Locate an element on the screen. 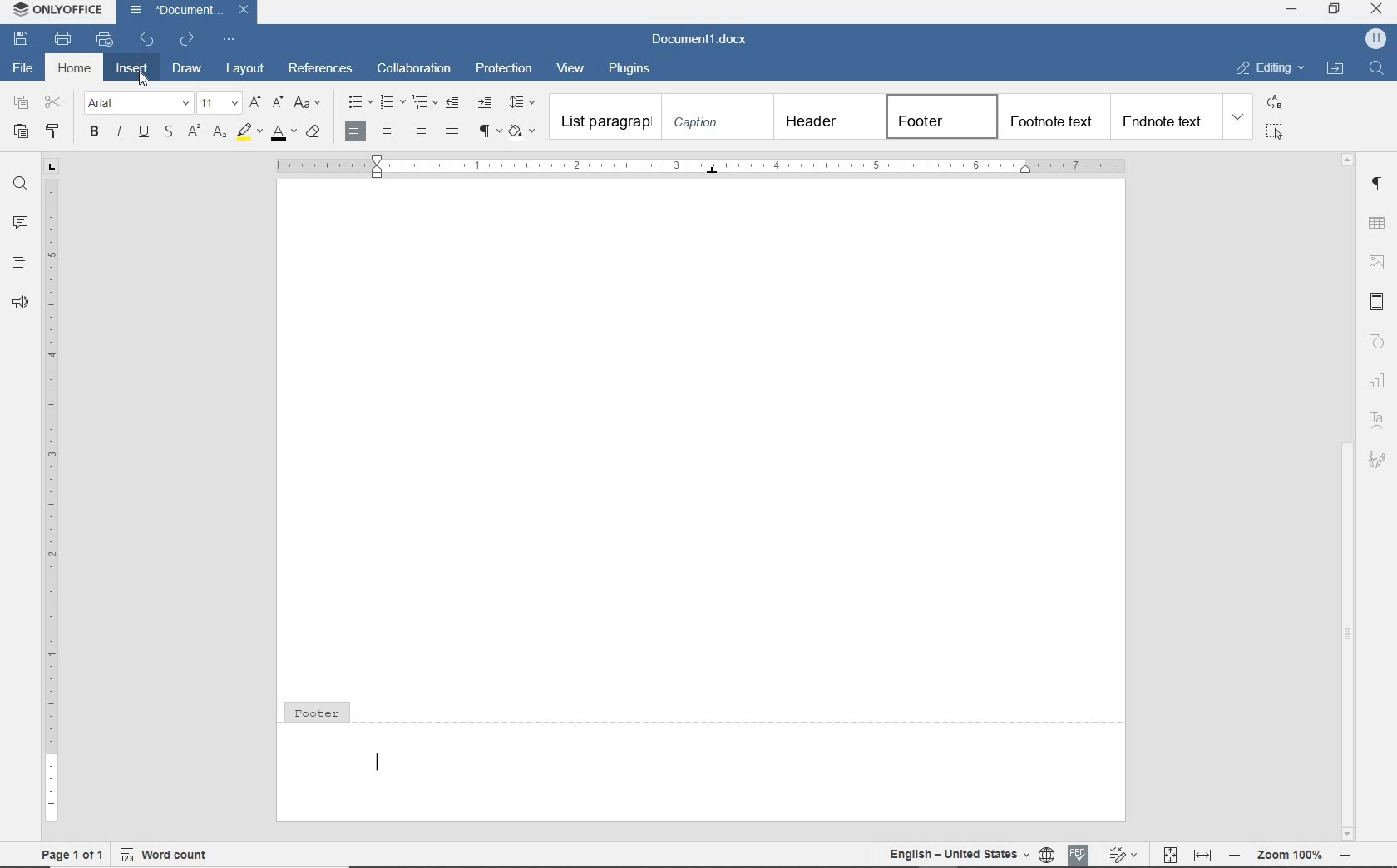 The height and width of the screenshot is (868, 1397). find is located at coordinates (1376, 67).